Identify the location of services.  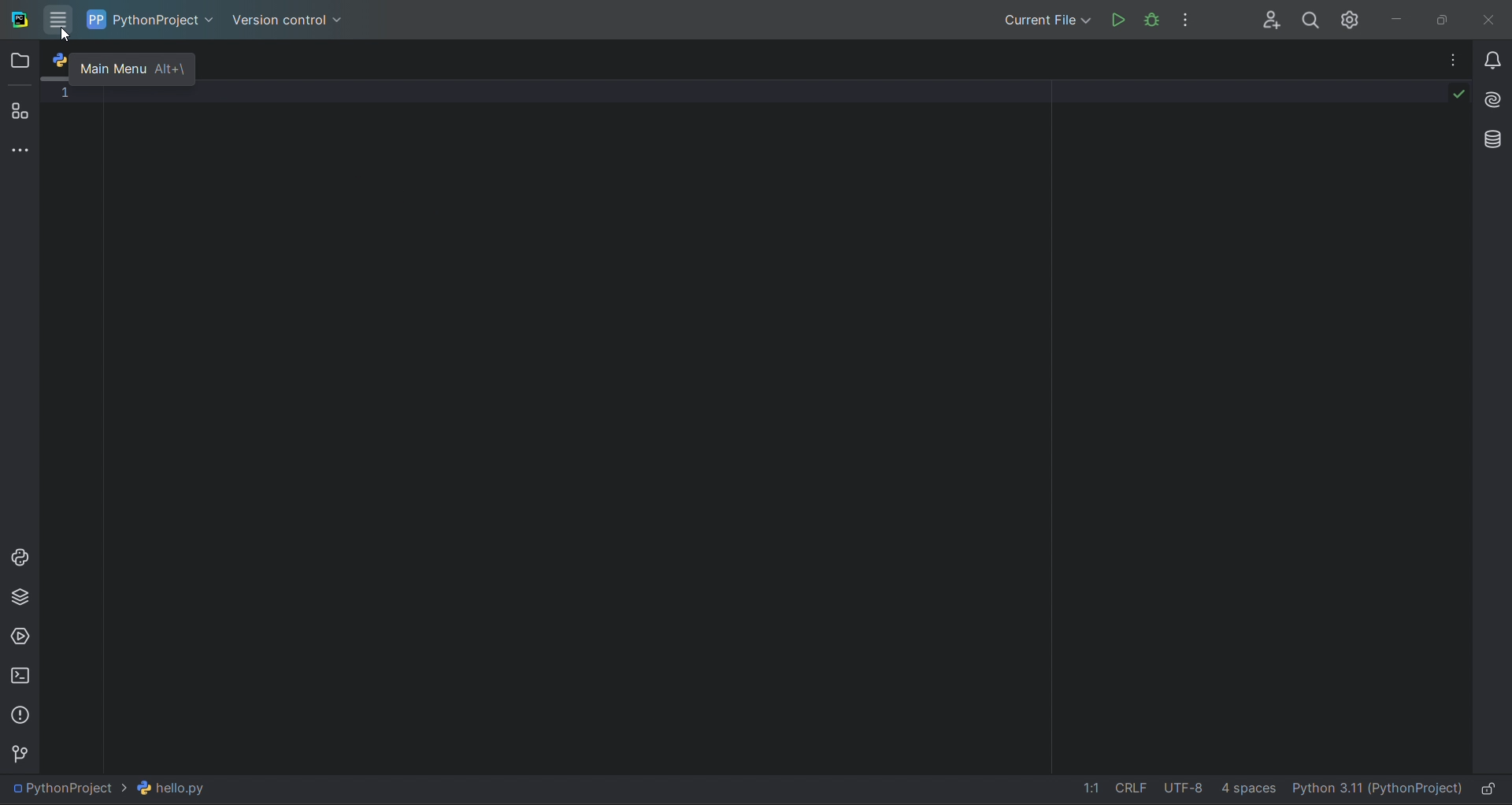
(20, 636).